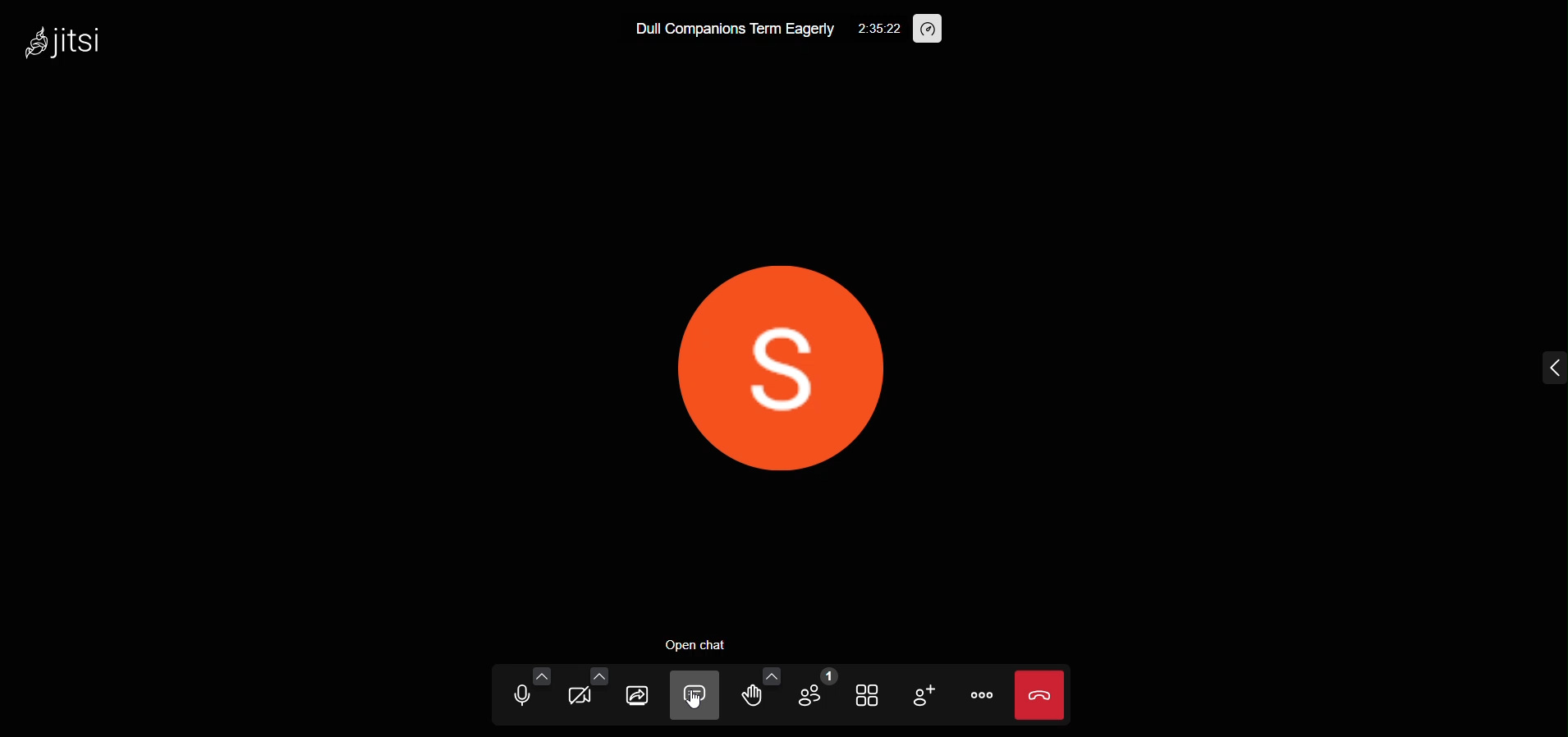  I want to click on microphone , so click(520, 695).